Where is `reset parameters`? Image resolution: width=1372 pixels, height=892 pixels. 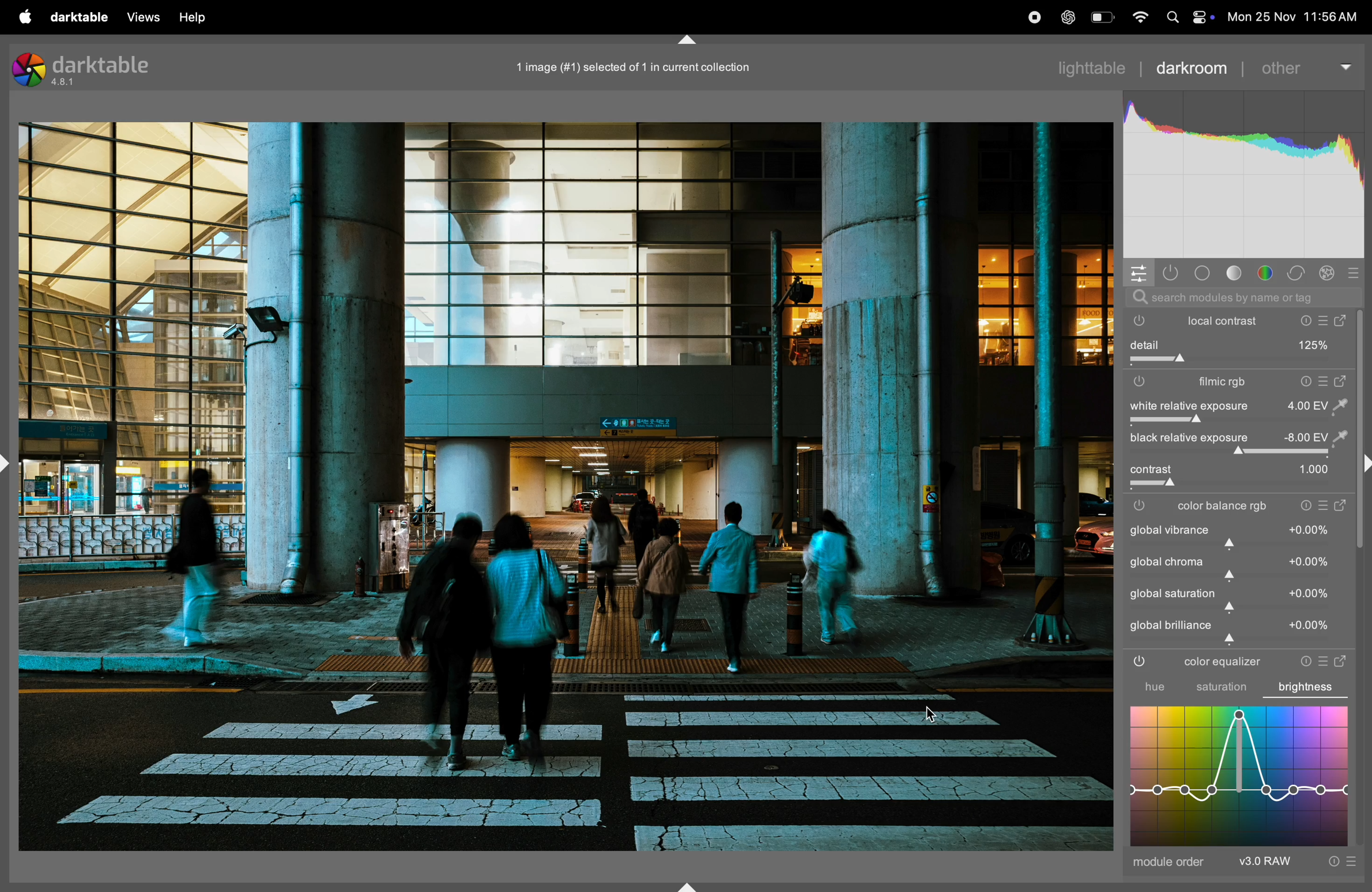
reset parameters is located at coordinates (1303, 381).